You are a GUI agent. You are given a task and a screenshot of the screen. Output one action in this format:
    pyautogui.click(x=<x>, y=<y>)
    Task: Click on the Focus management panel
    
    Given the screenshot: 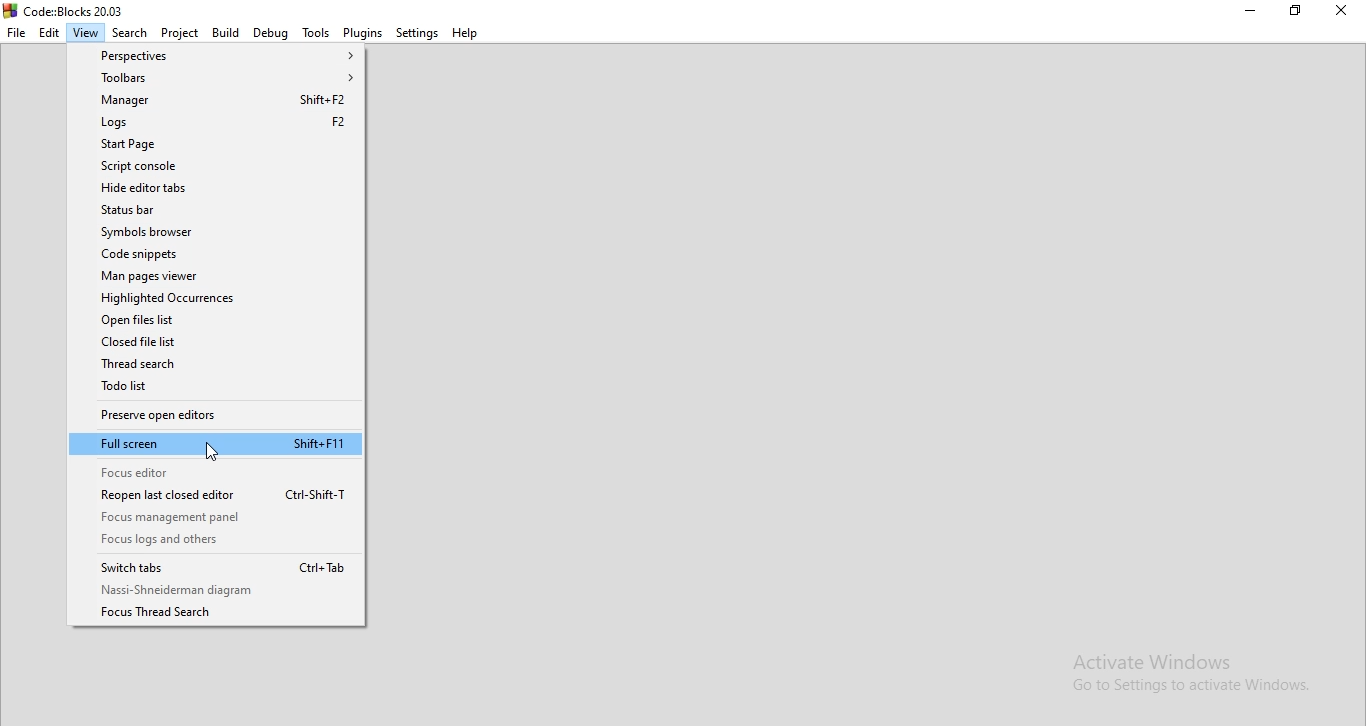 What is the action you would take?
    pyautogui.click(x=218, y=517)
    